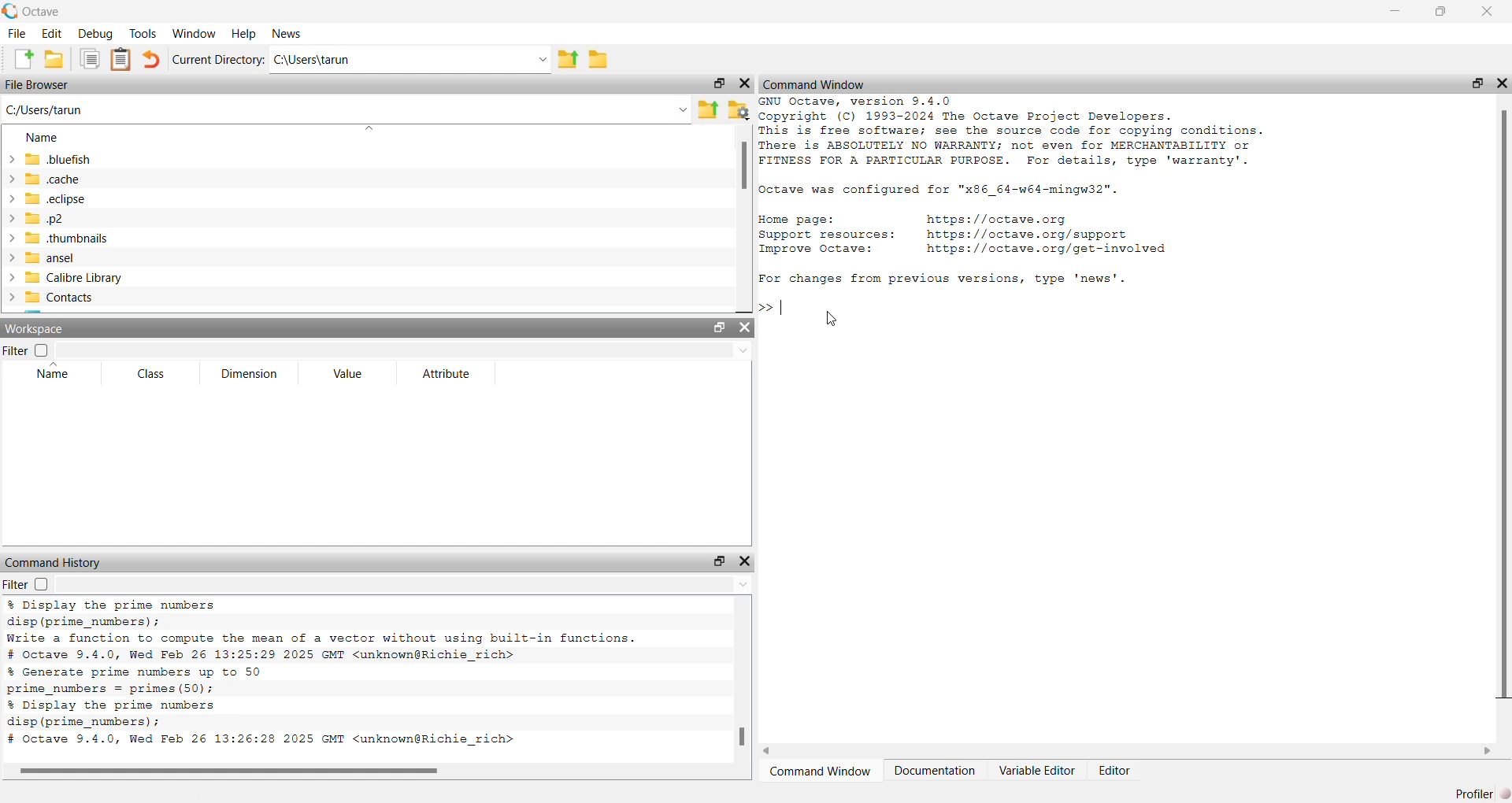 The image size is (1512, 803). I want to click on cursor, so click(831, 319).